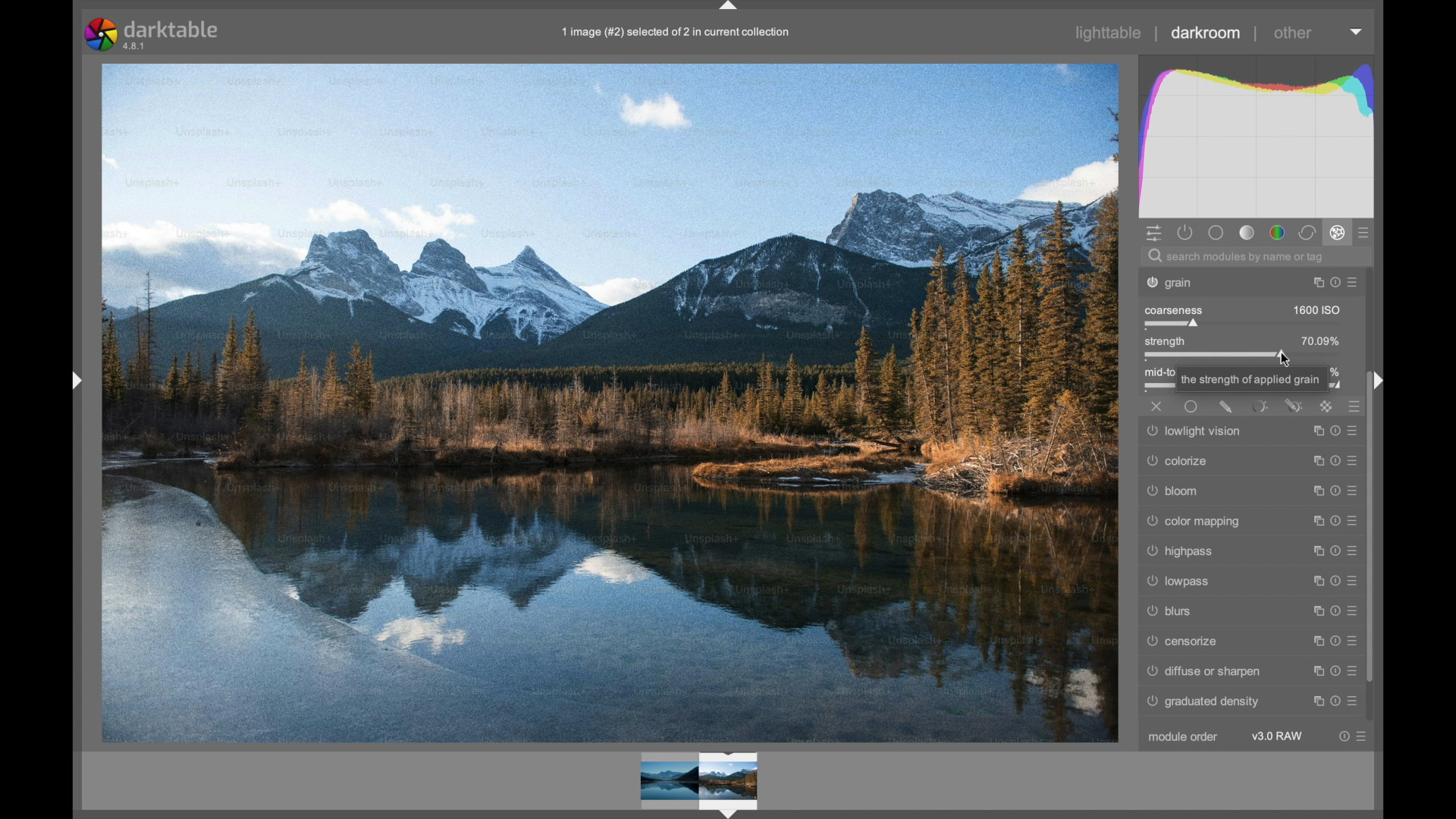 This screenshot has height=819, width=1456. What do you see at coordinates (1364, 736) in the screenshot?
I see `presets` at bounding box center [1364, 736].